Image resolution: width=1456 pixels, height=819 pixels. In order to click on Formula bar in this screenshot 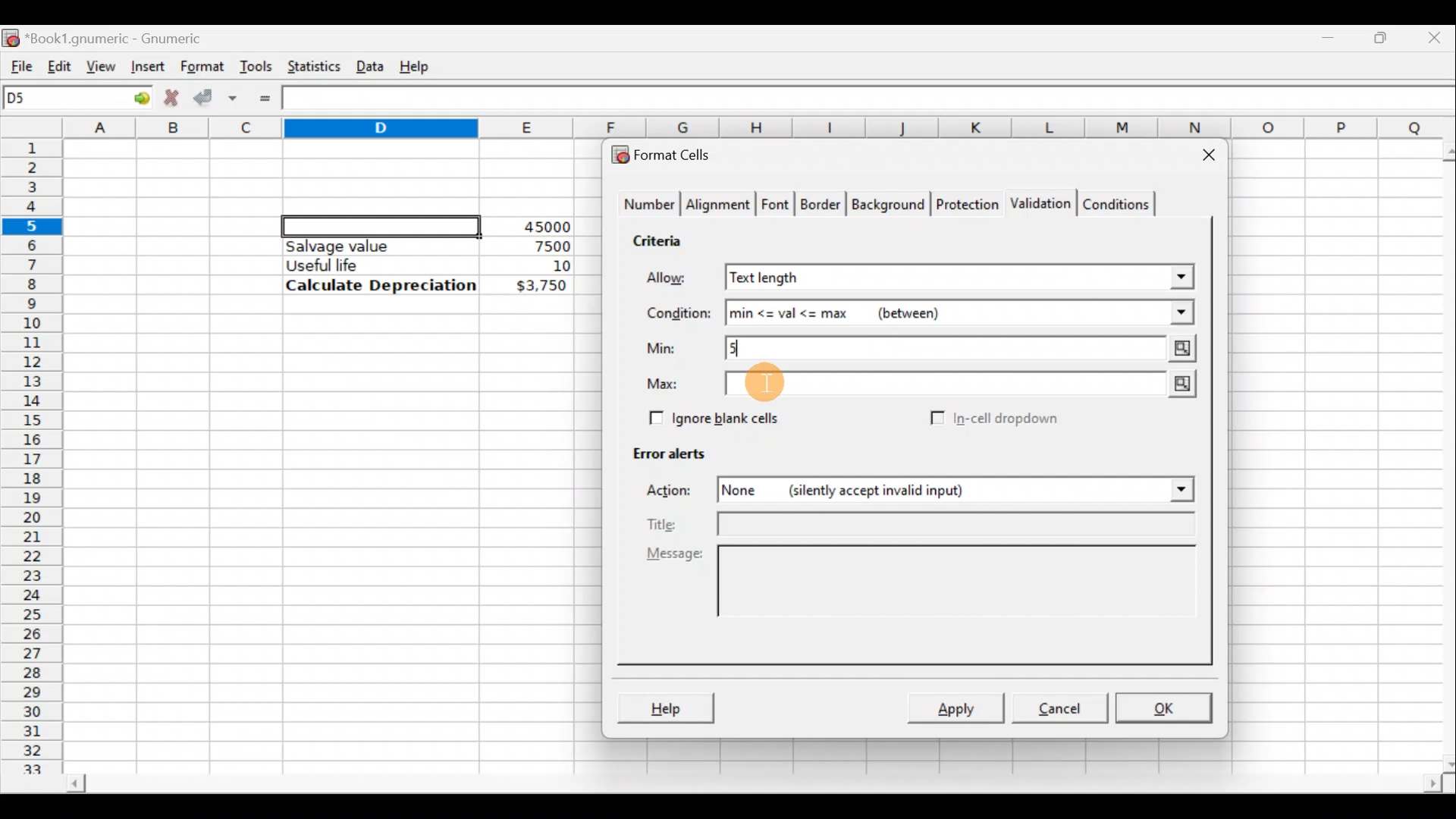, I will do `click(873, 100)`.